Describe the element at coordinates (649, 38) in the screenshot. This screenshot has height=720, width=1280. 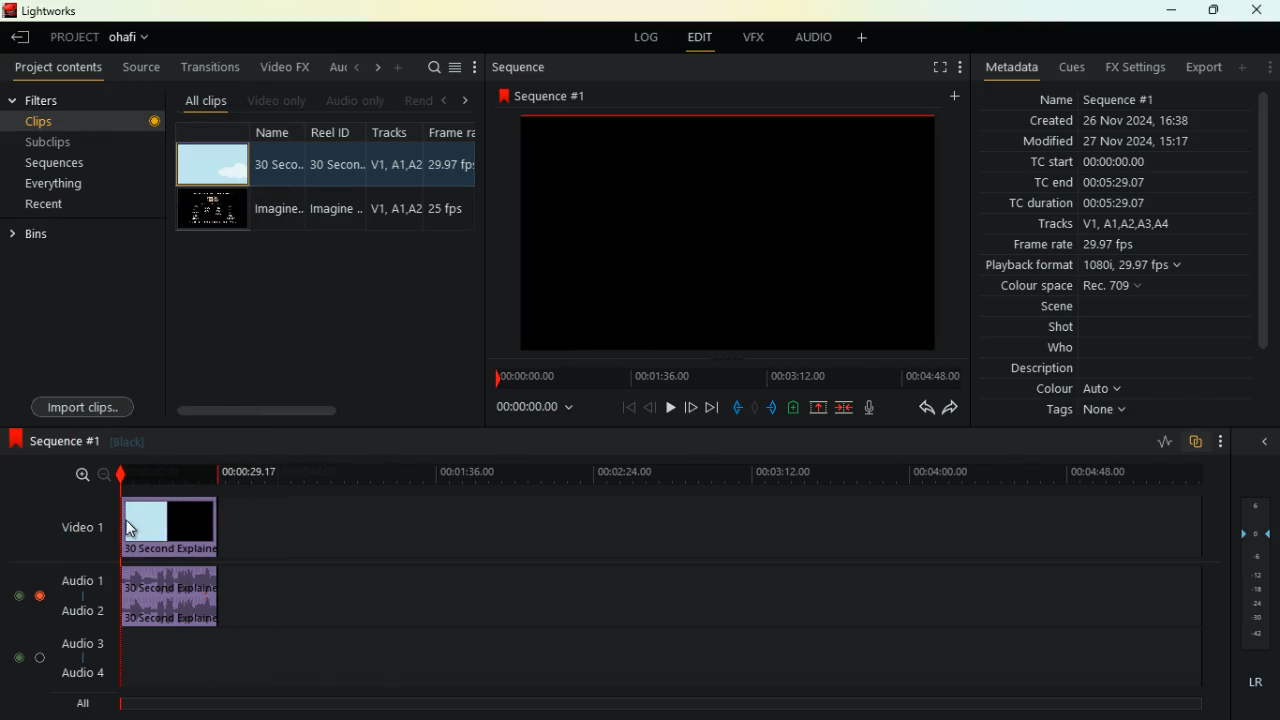
I see `log` at that location.